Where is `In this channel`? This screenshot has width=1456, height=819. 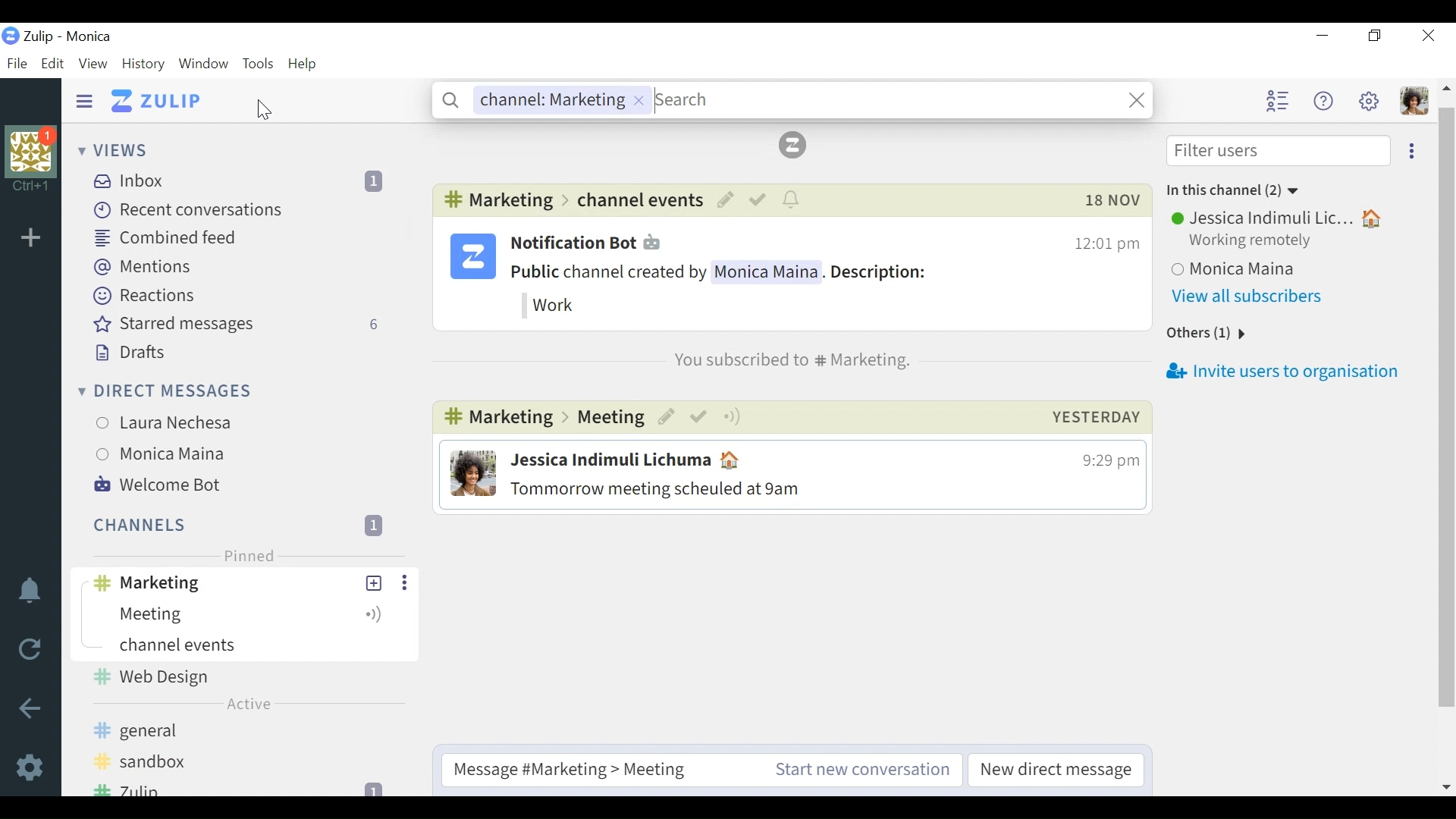
In this channel is located at coordinates (1236, 190).